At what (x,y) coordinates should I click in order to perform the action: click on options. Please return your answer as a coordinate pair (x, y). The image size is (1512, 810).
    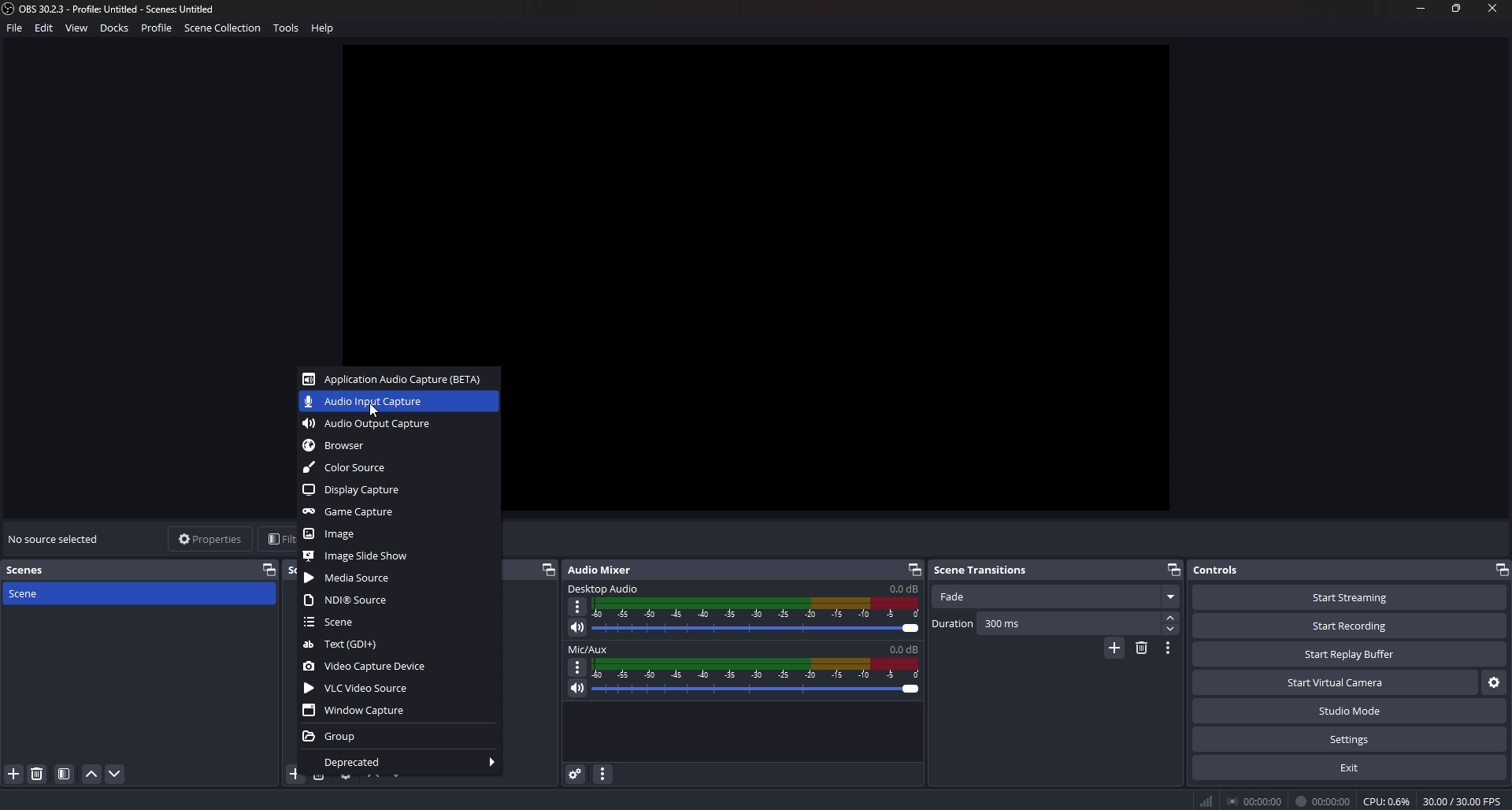
    Looking at the image, I should click on (577, 667).